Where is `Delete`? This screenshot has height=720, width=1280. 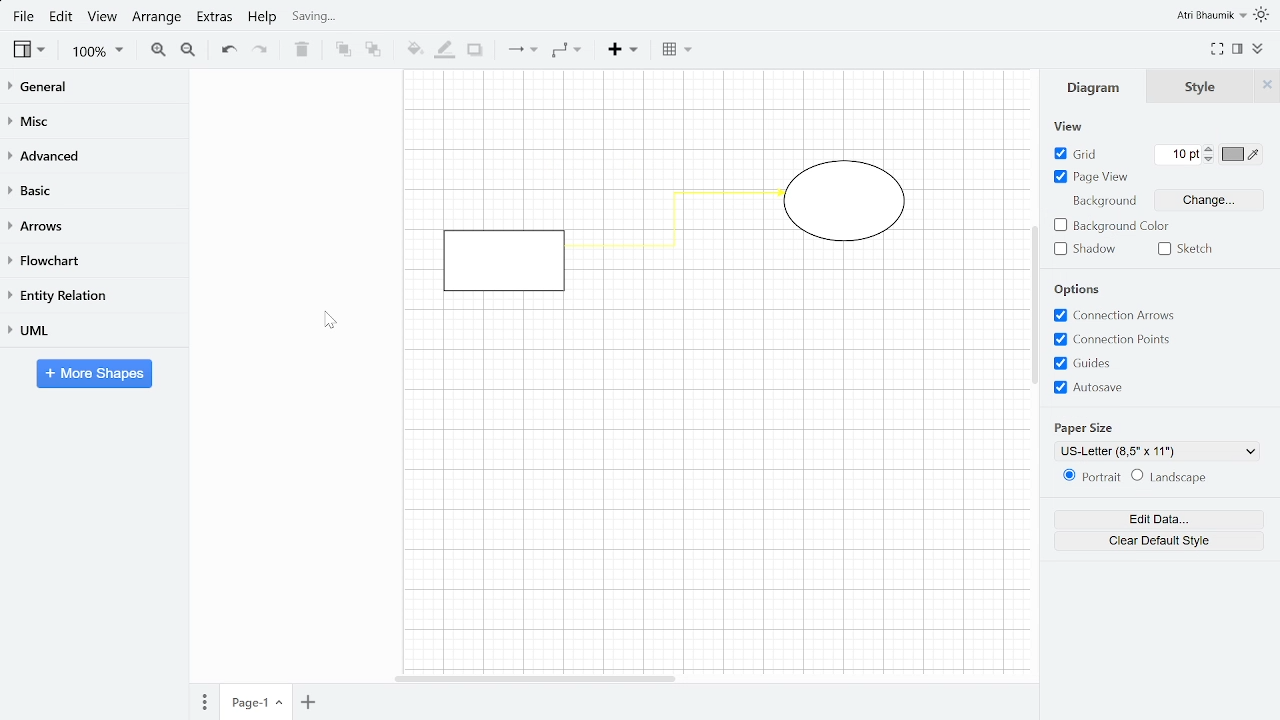
Delete is located at coordinates (300, 50).